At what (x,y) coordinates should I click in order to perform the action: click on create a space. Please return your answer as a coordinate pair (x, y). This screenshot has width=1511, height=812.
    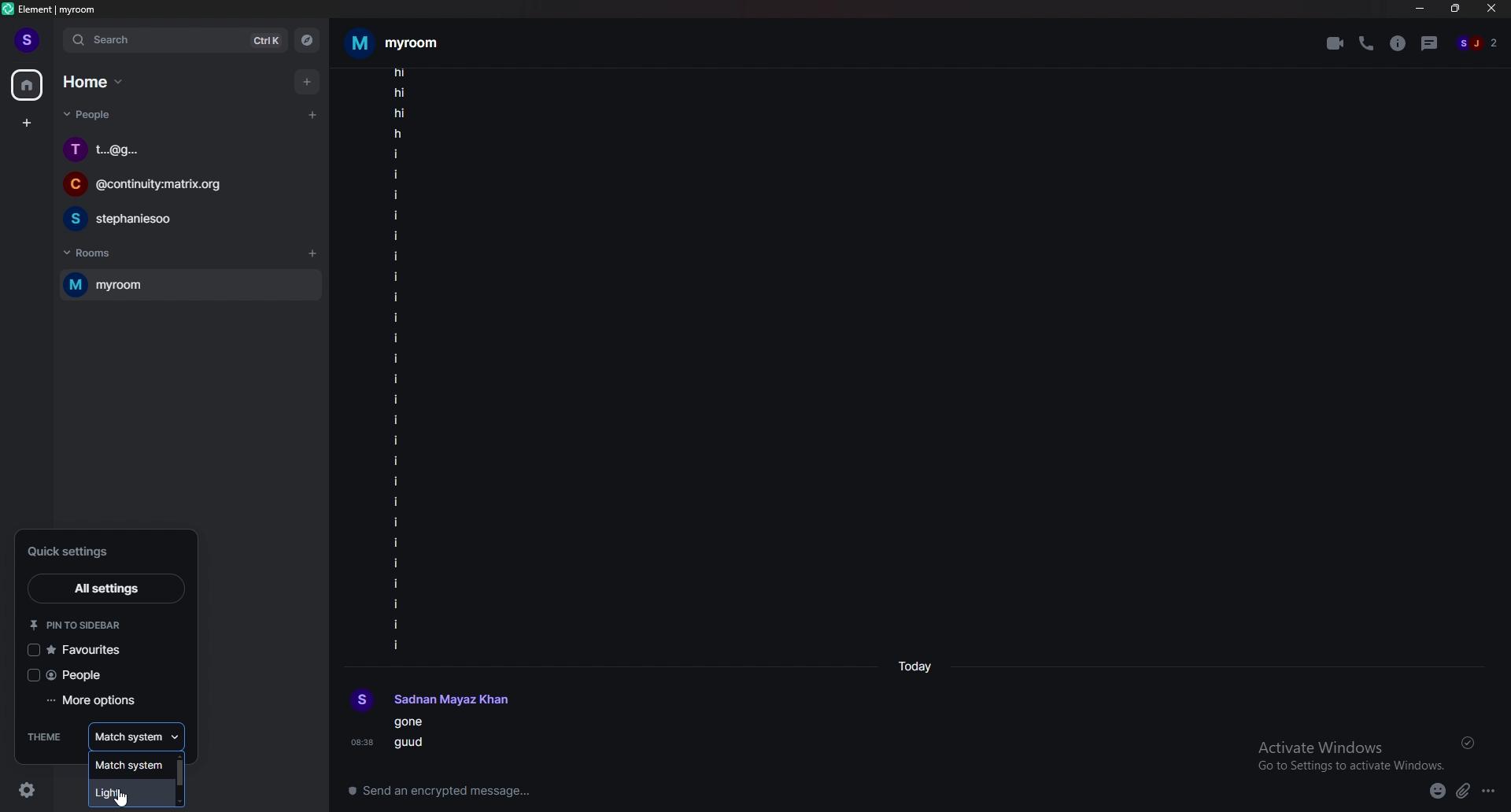
    Looking at the image, I should click on (28, 123).